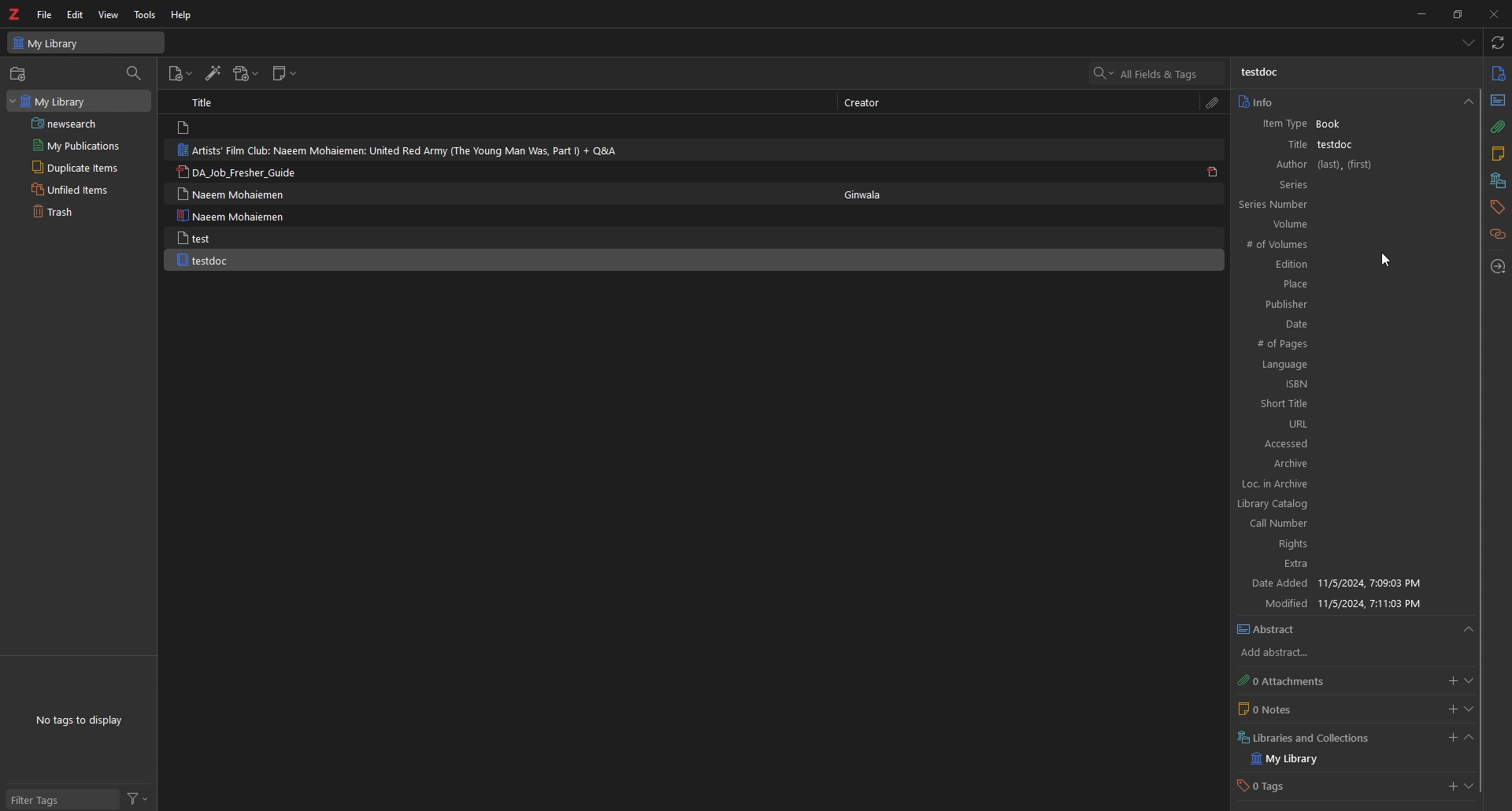  I want to click on Title, so click(203, 102).